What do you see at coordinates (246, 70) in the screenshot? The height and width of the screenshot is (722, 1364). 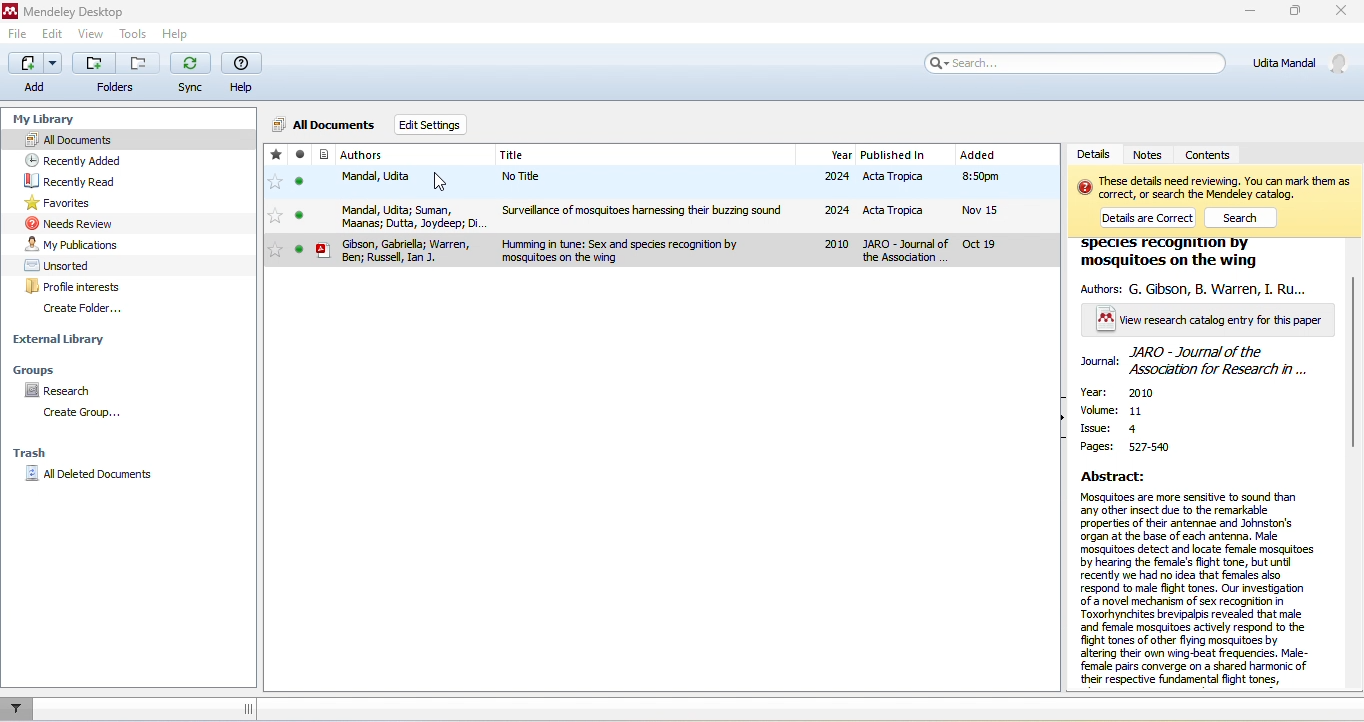 I see `help` at bounding box center [246, 70].